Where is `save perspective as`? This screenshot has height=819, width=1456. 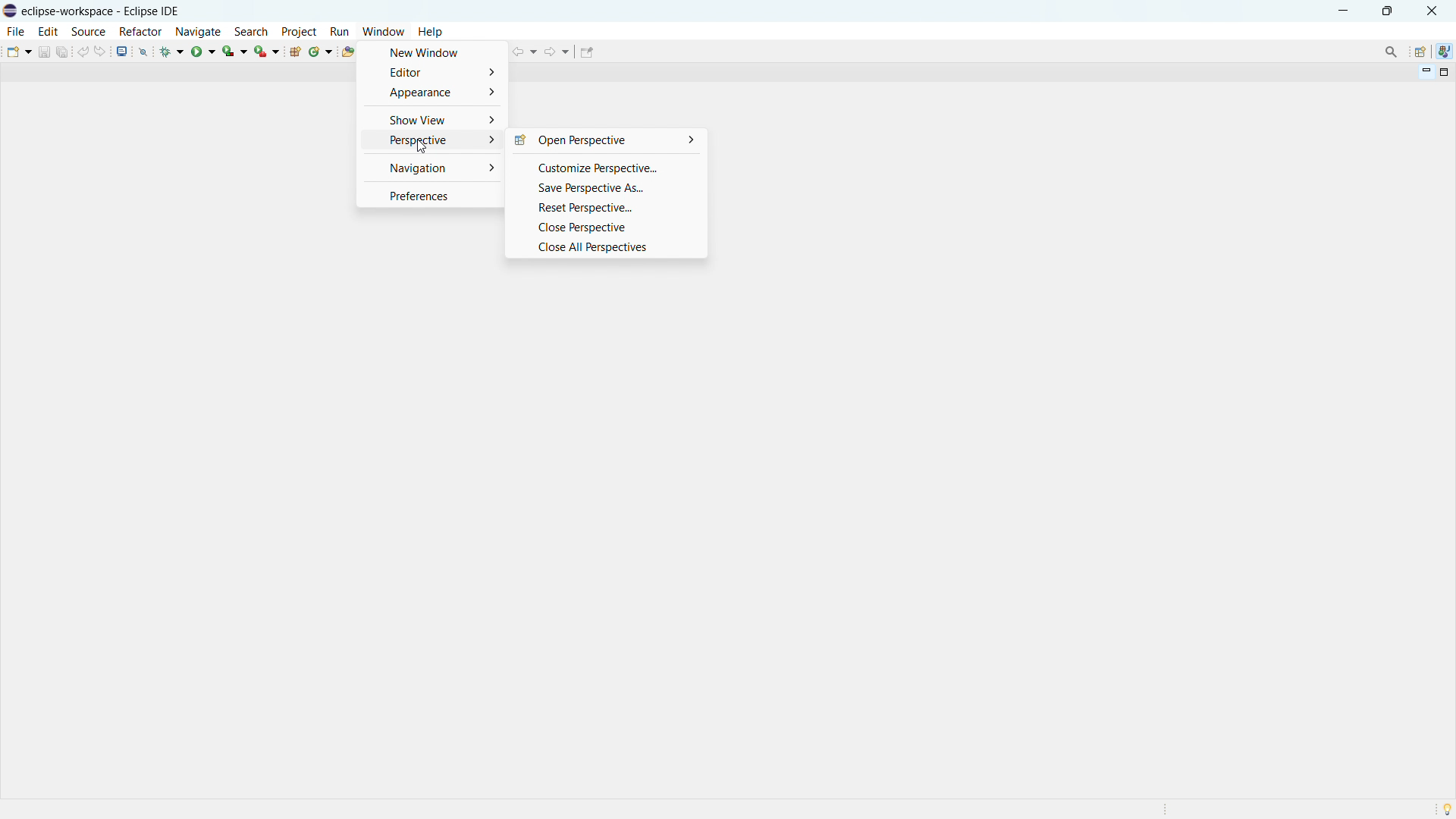
save perspective as is located at coordinates (604, 187).